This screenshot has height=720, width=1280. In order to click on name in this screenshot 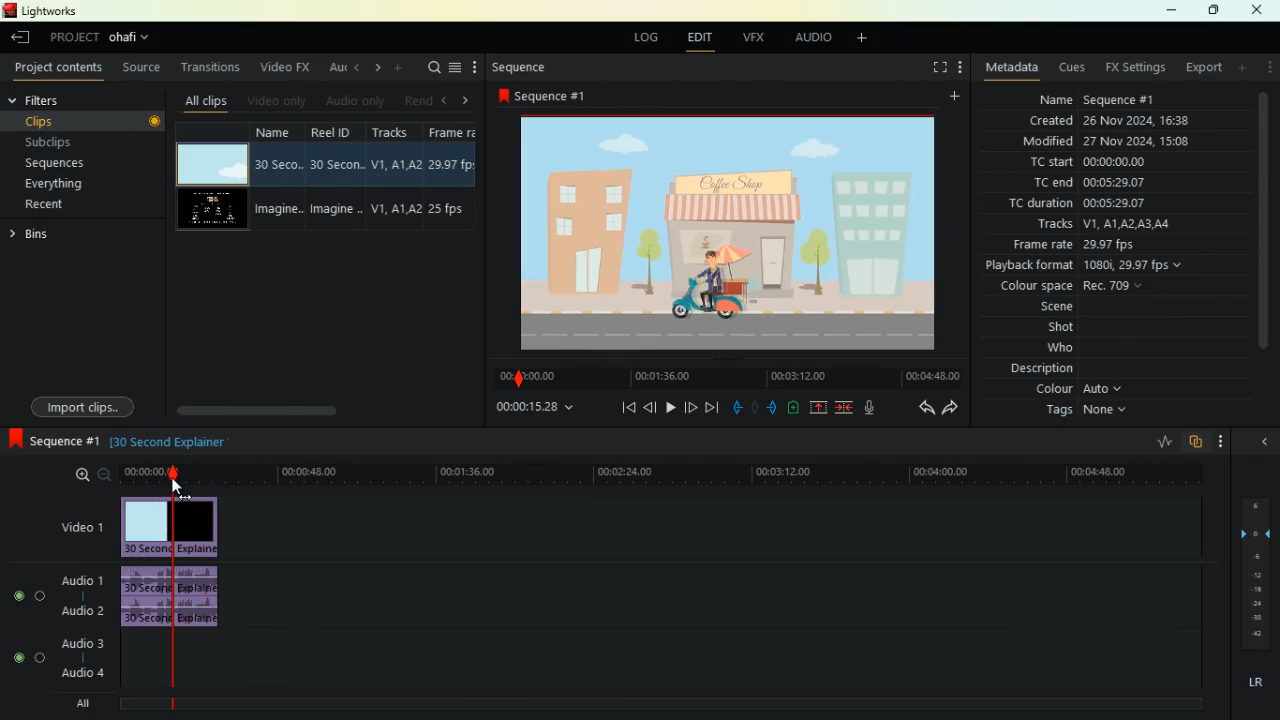, I will do `click(279, 131)`.